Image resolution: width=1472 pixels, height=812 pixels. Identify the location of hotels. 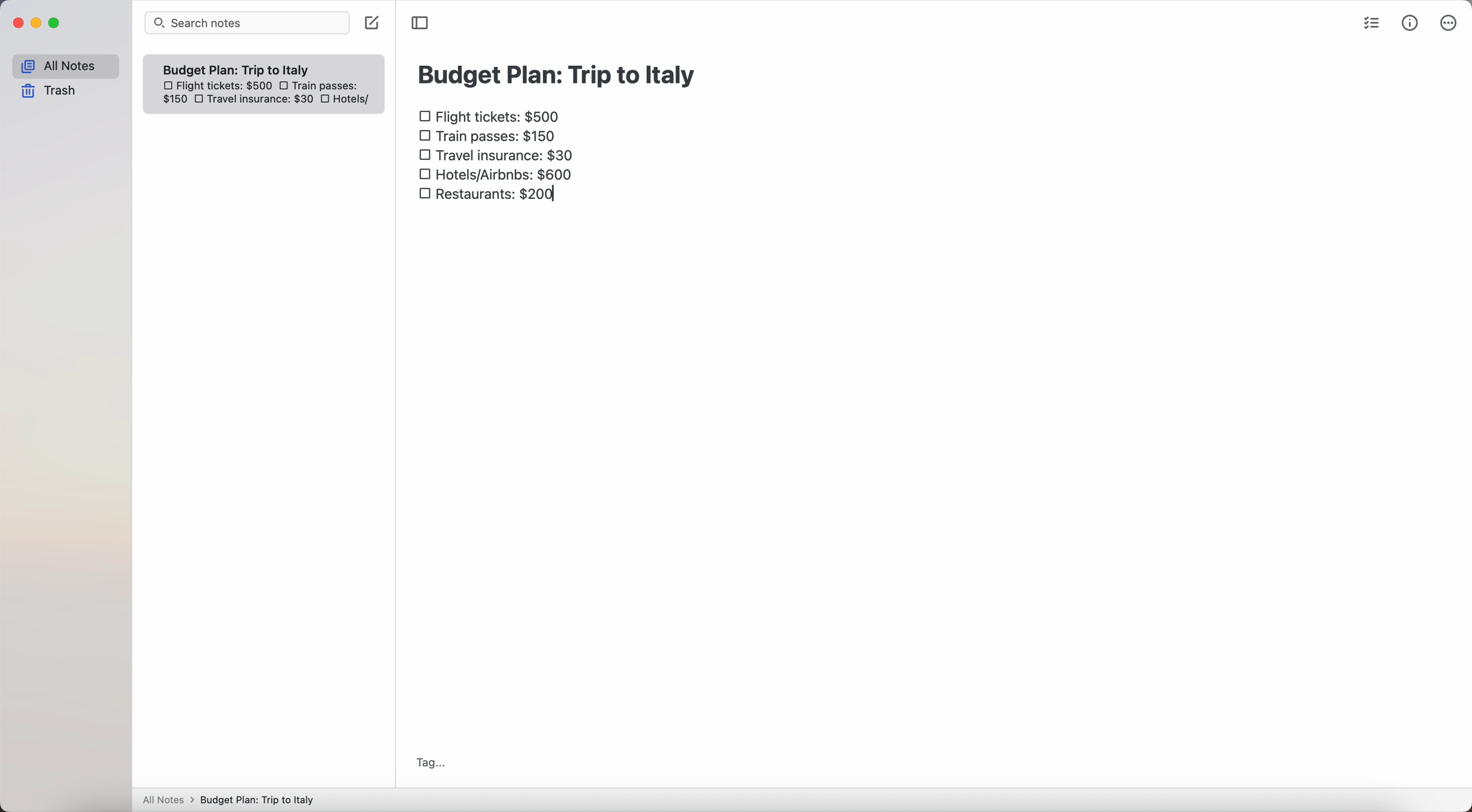
(357, 100).